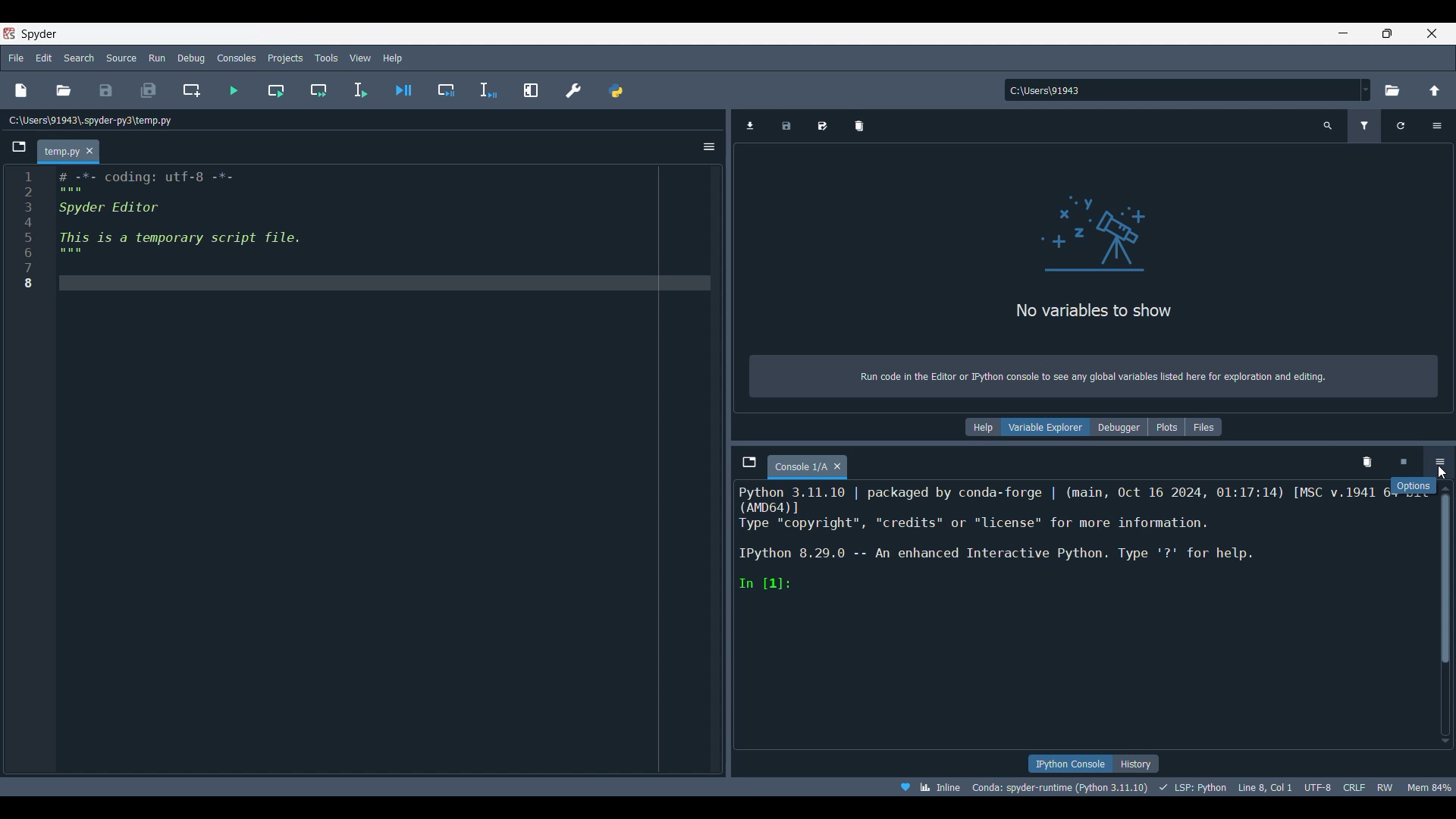 The width and height of the screenshot is (1456, 819). I want to click on Input folder location, so click(1181, 89).